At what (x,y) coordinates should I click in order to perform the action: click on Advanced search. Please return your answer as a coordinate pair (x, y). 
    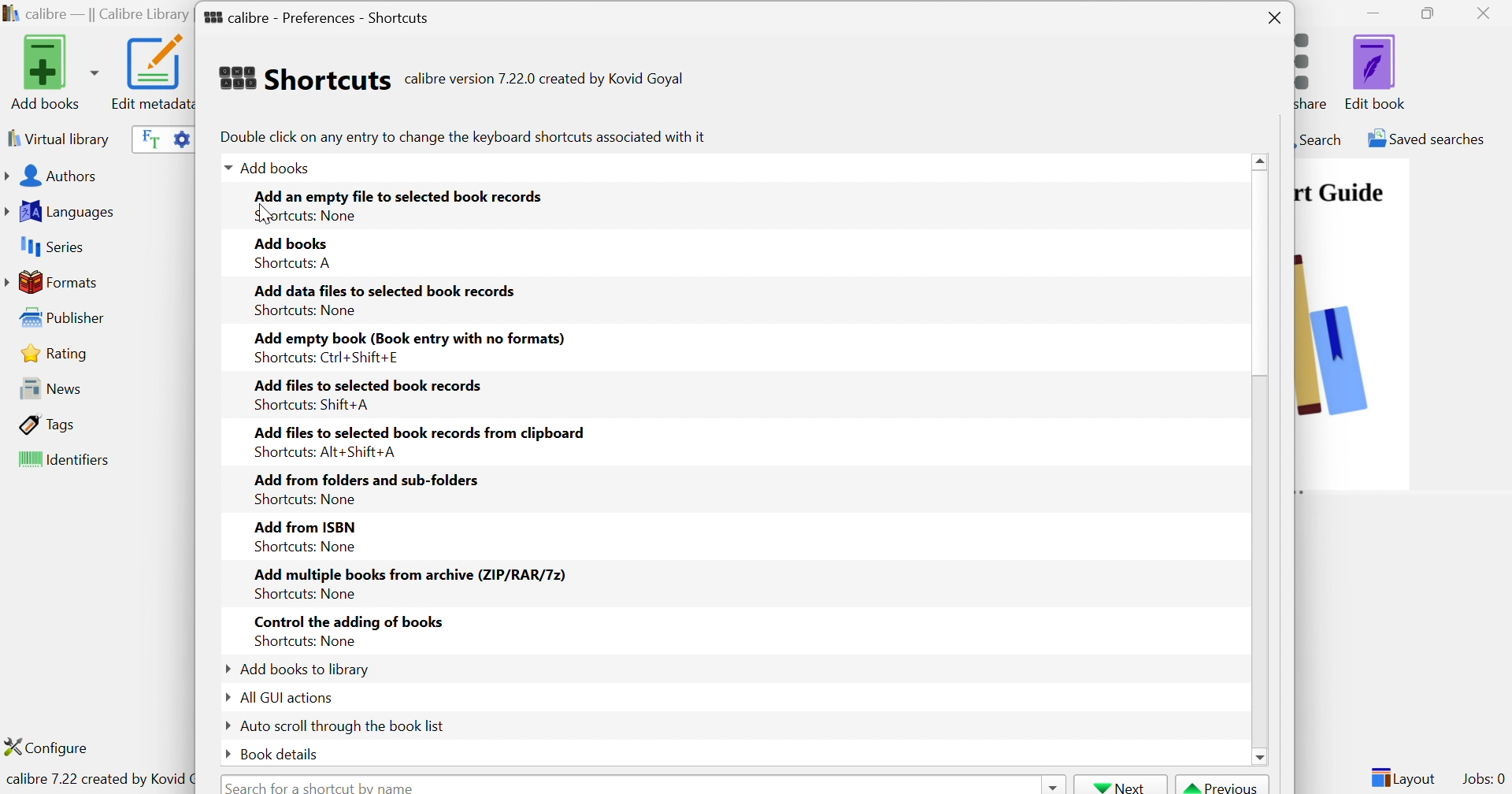
    Looking at the image, I should click on (180, 137).